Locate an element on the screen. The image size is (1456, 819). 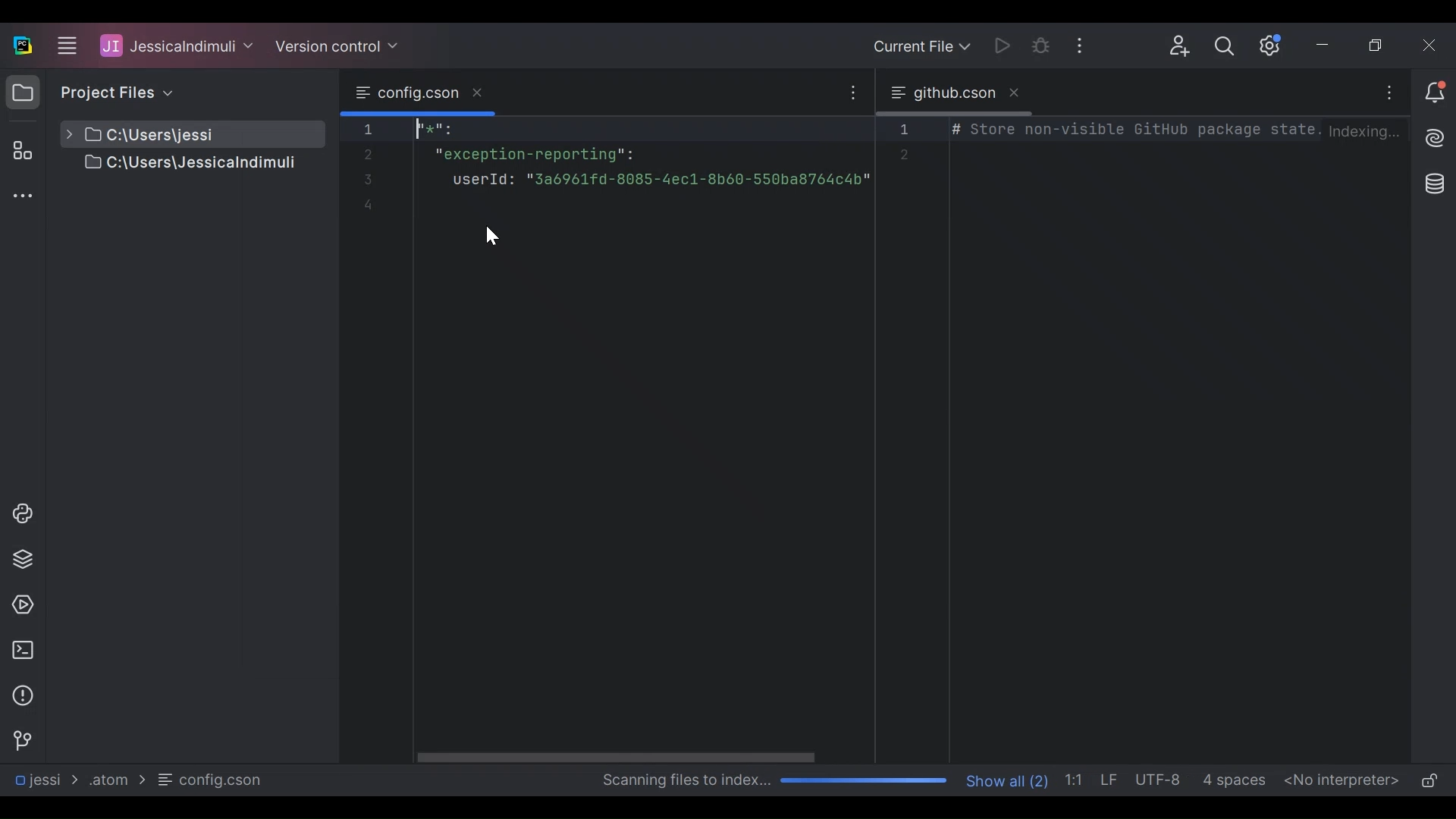
Terminal is located at coordinates (23, 650).